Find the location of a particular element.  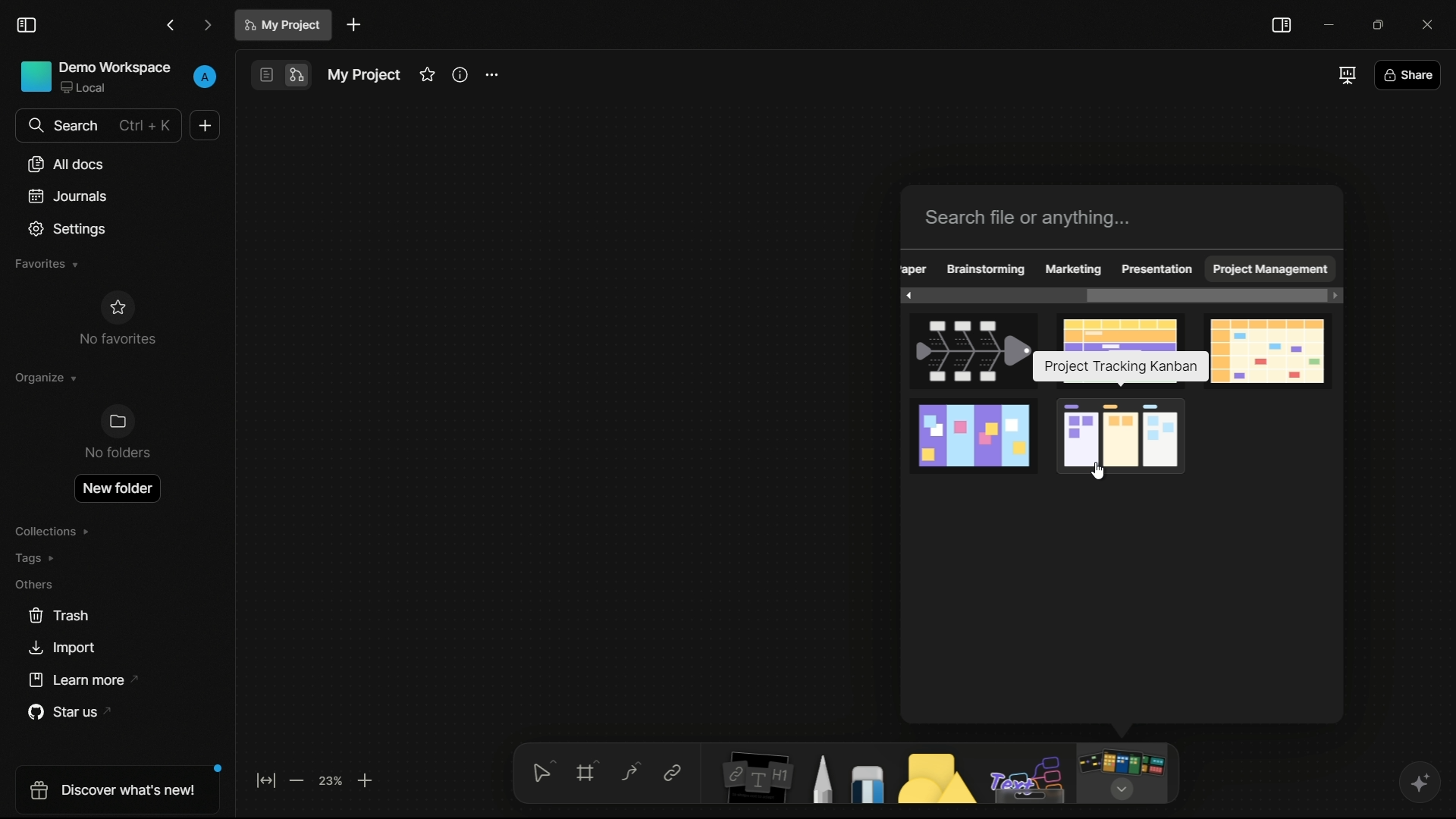

full screen is located at coordinates (1345, 74).